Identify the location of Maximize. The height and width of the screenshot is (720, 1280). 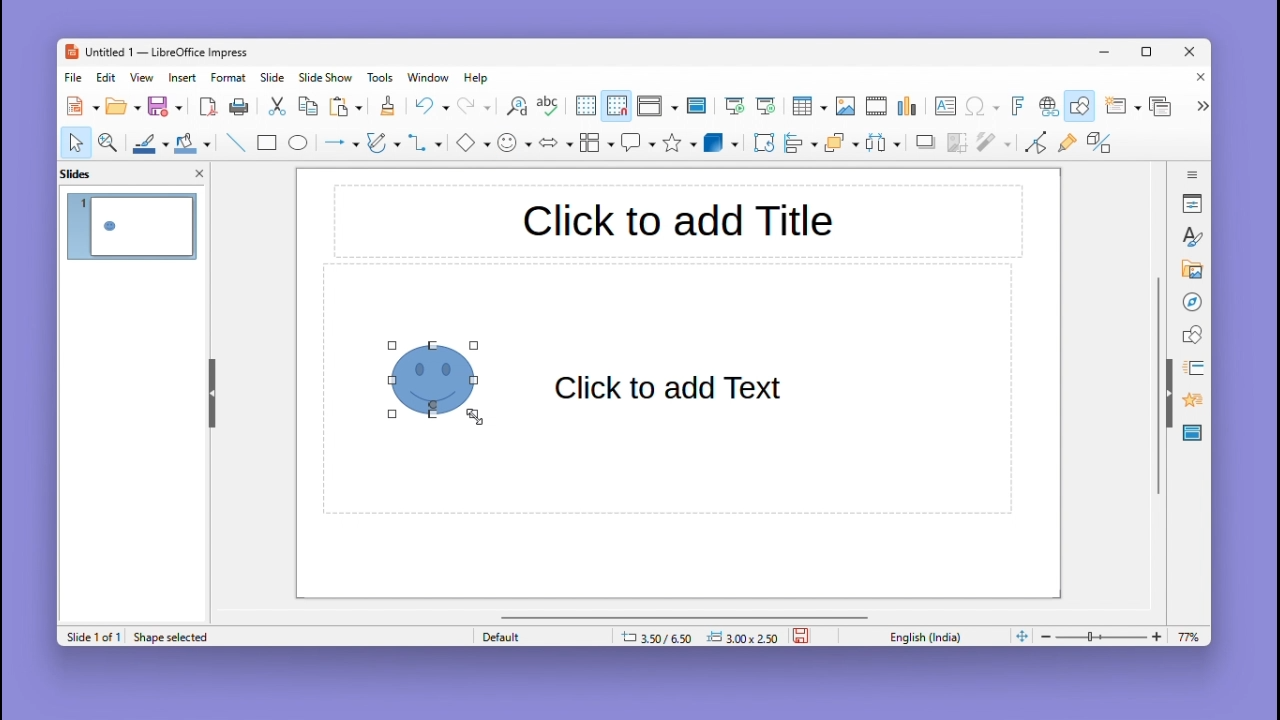
(1150, 55).